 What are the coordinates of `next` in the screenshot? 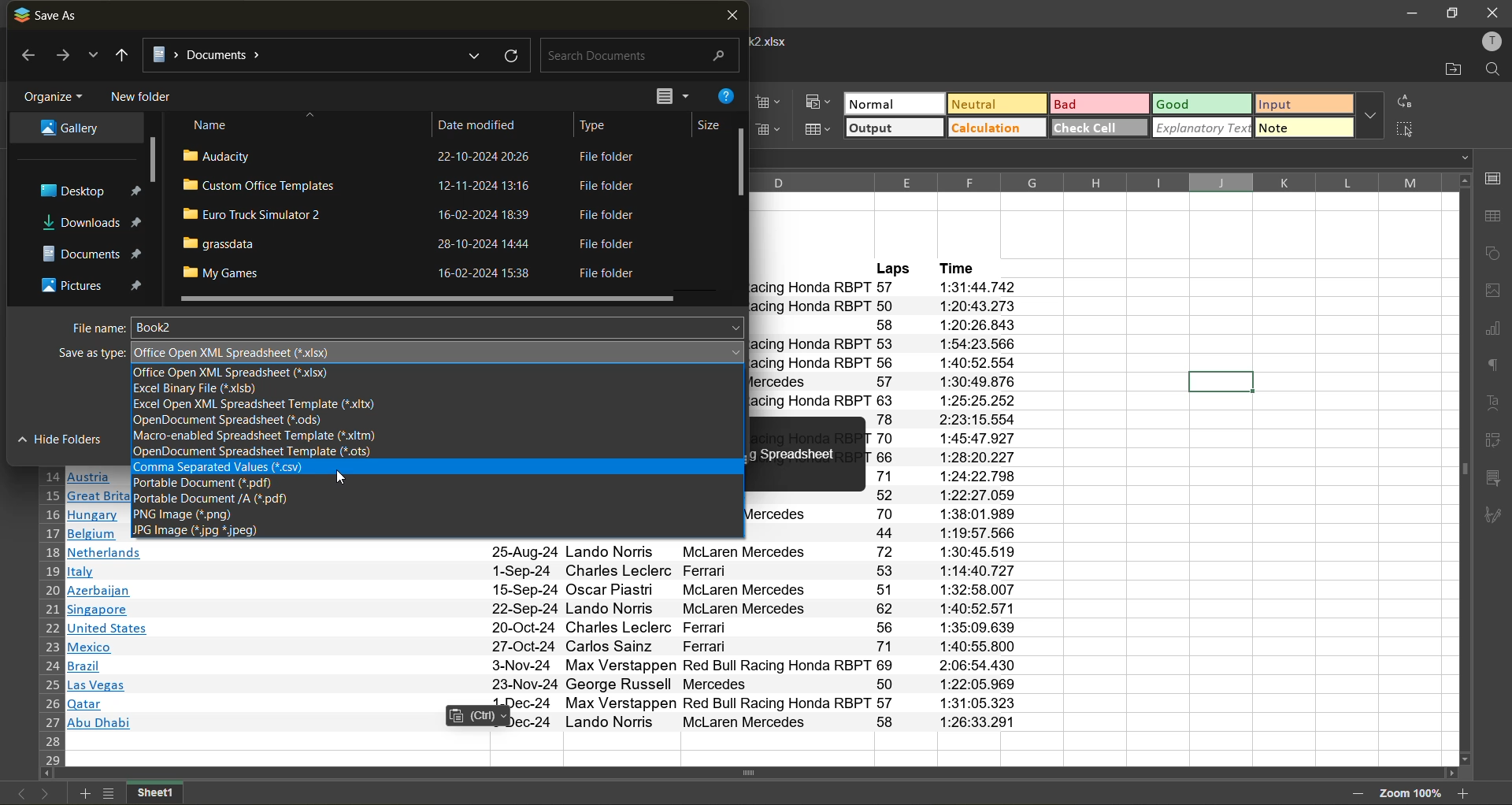 It's located at (61, 56).